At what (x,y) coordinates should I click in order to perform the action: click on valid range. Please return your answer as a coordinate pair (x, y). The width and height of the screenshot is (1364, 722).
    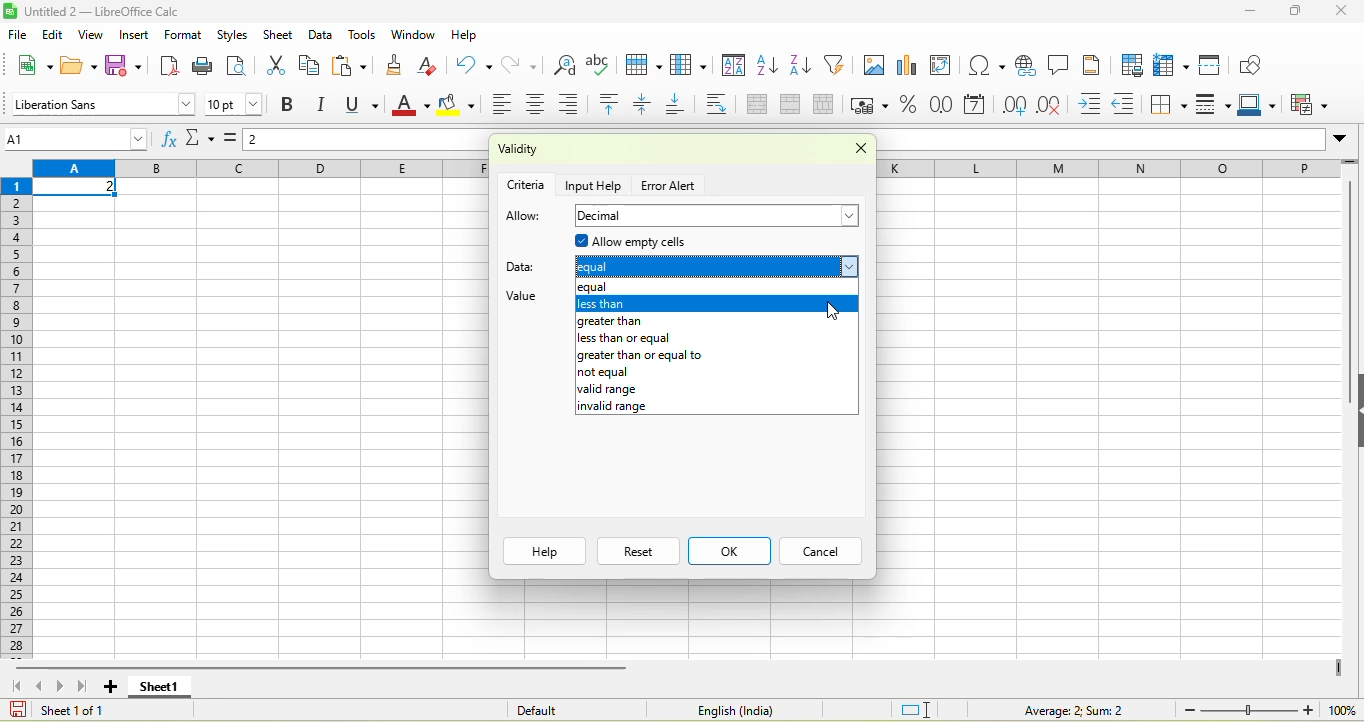
    Looking at the image, I should click on (709, 389).